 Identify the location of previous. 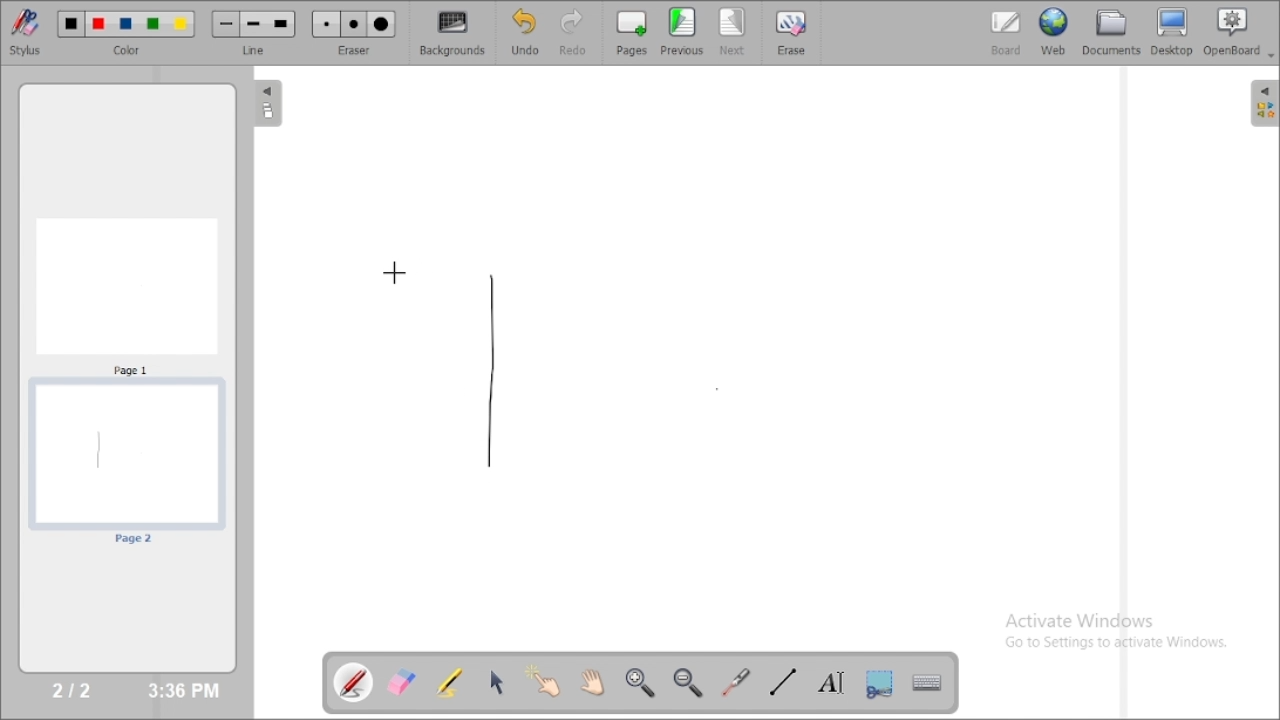
(682, 31).